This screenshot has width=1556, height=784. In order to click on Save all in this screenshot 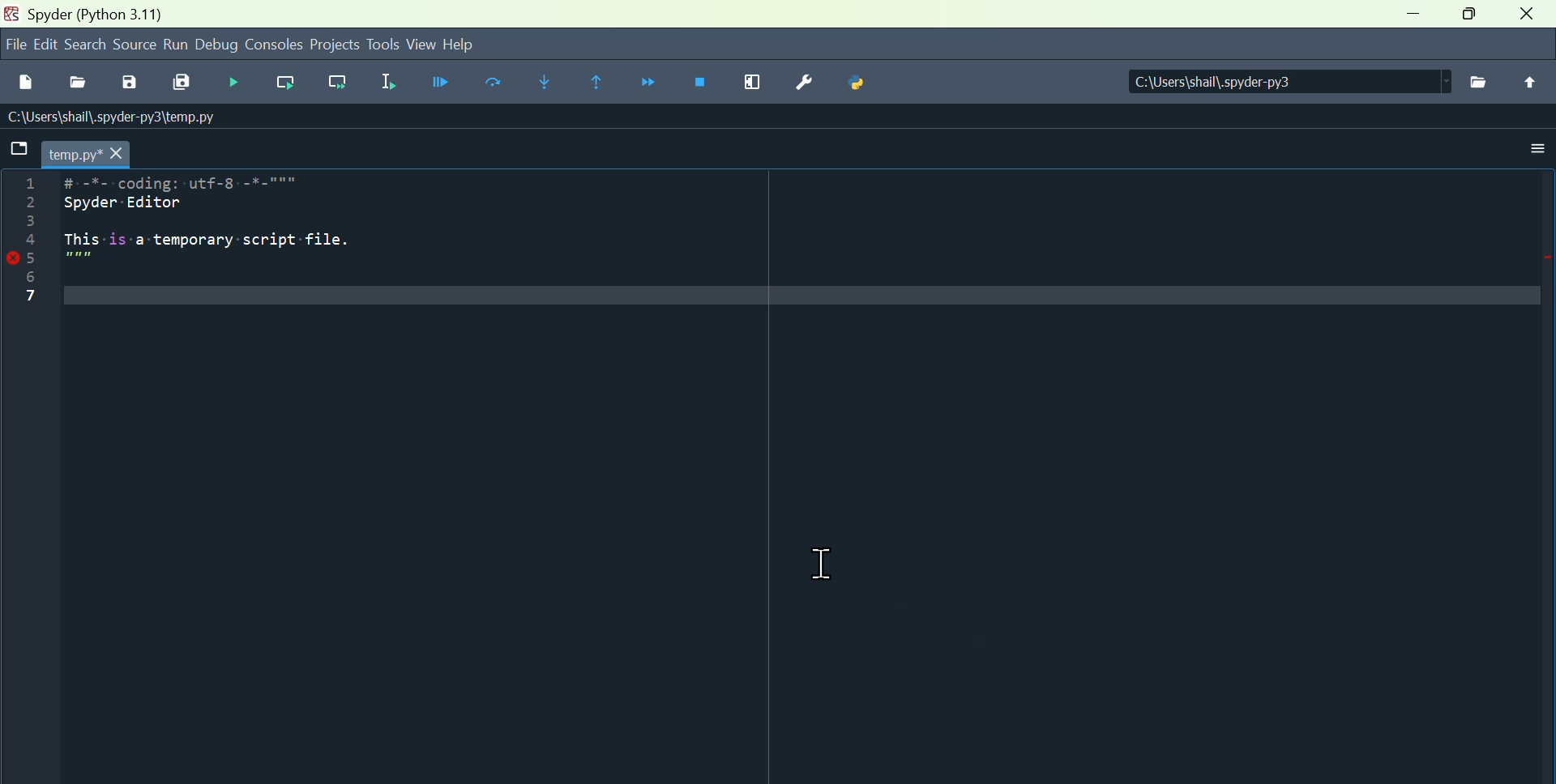, I will do `click(182, 86)`.